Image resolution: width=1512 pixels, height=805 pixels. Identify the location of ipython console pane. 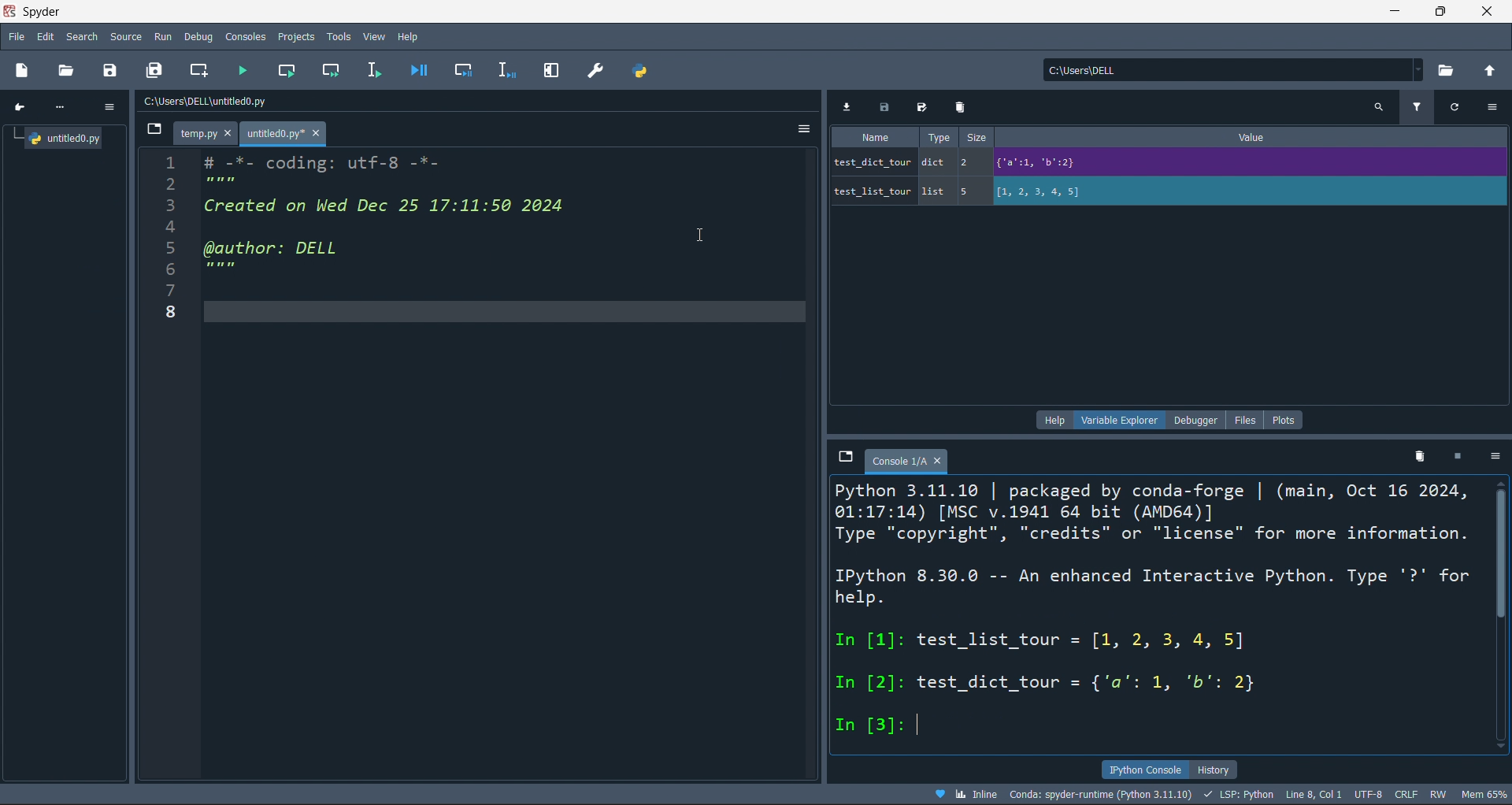
(1159, 613).